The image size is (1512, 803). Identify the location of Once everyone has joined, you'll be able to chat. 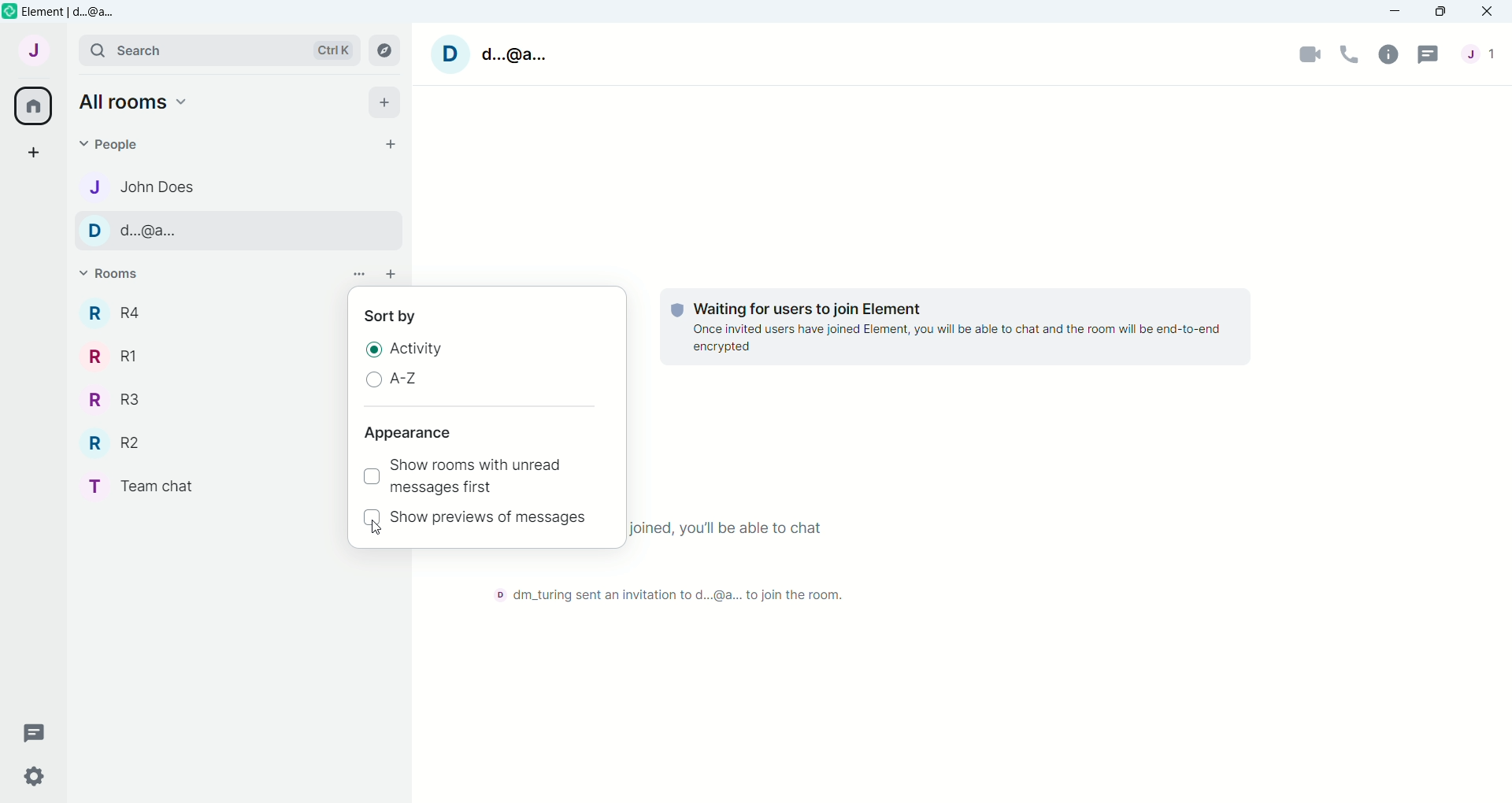
(725, 527).